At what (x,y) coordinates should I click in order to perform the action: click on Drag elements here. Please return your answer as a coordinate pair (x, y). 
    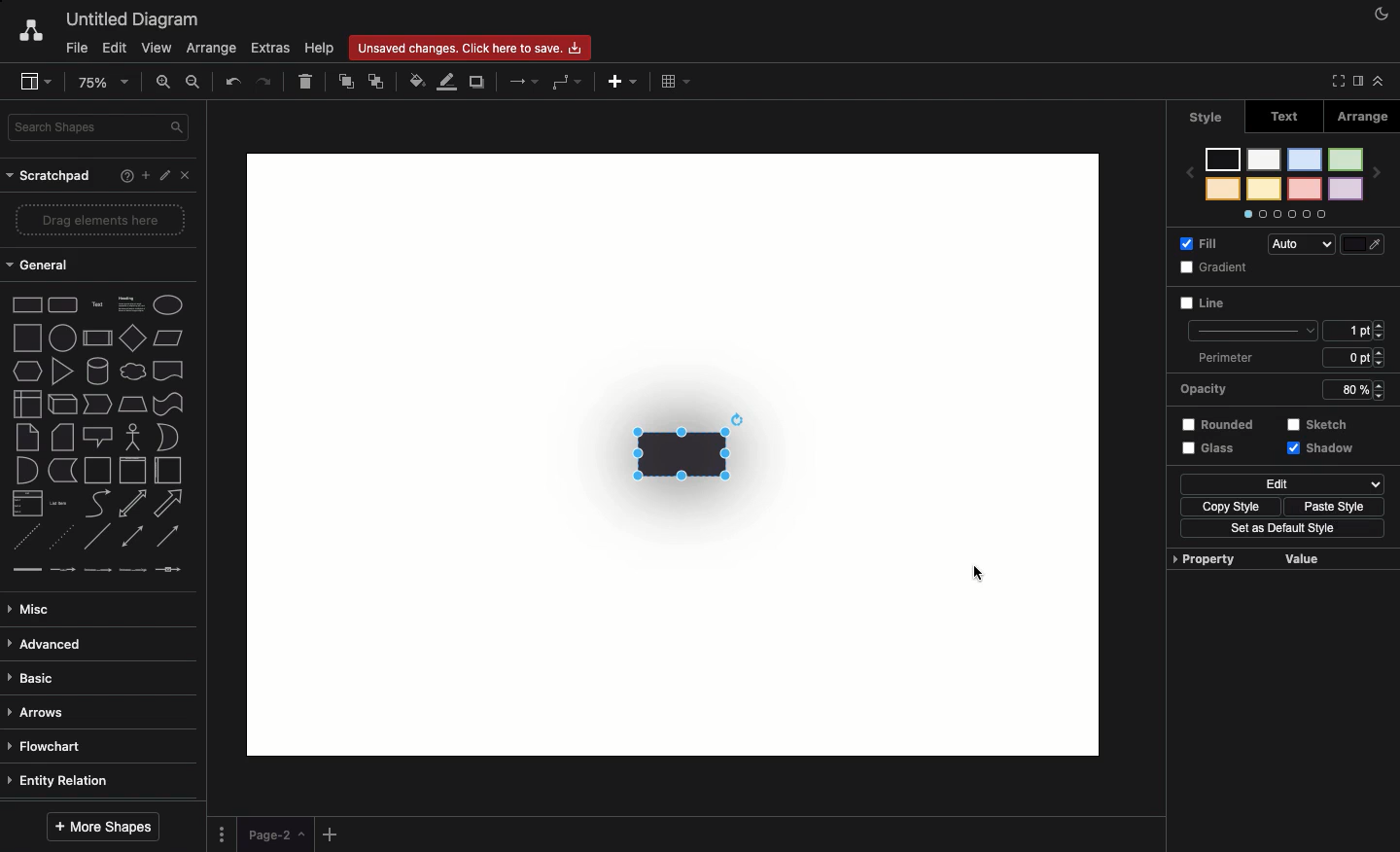
    Looking at the image, I should click on (103, 219).